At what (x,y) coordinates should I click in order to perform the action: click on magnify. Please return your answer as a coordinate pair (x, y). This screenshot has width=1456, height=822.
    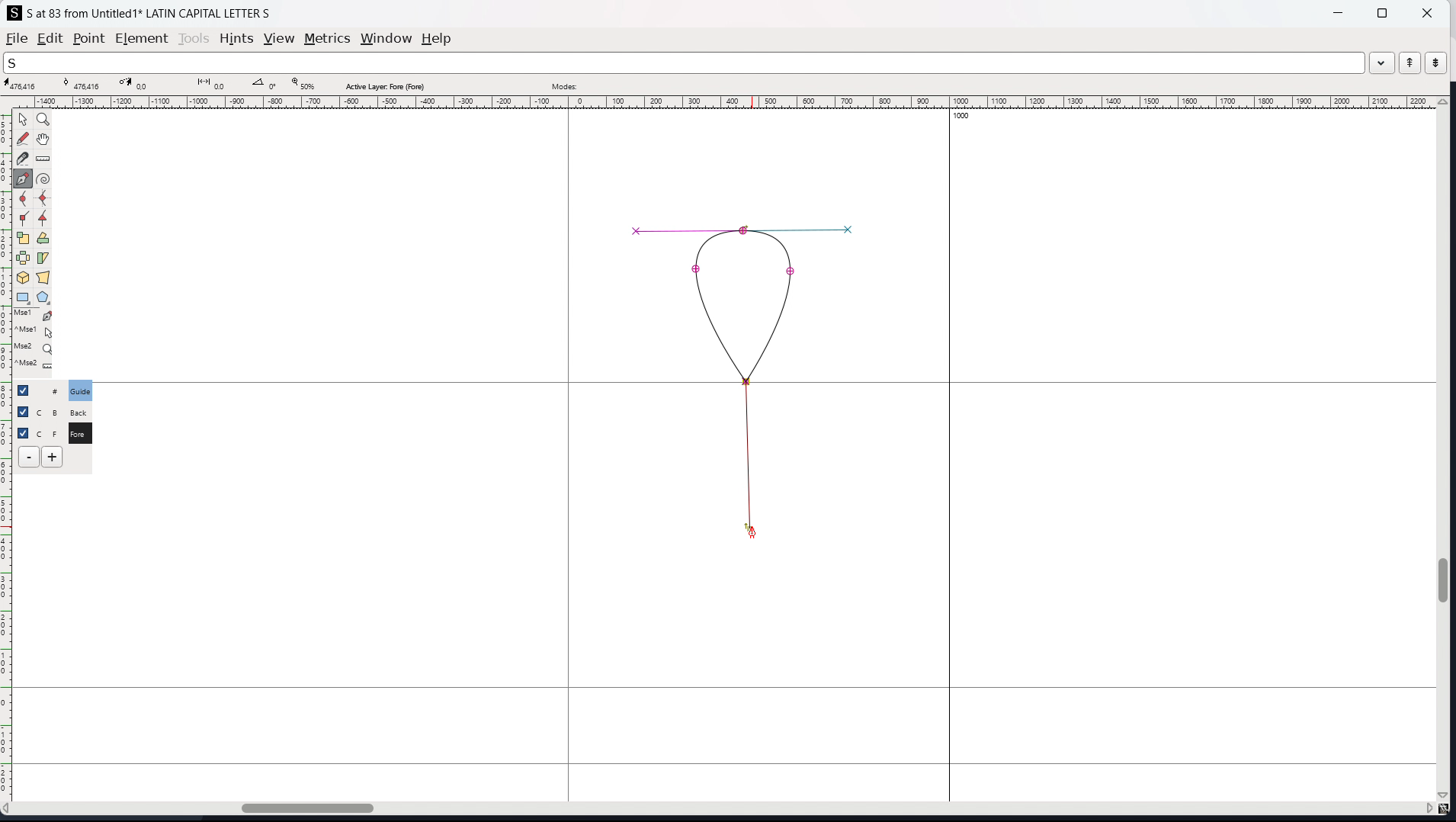
    Looking at the image, I should click on (44, 120).